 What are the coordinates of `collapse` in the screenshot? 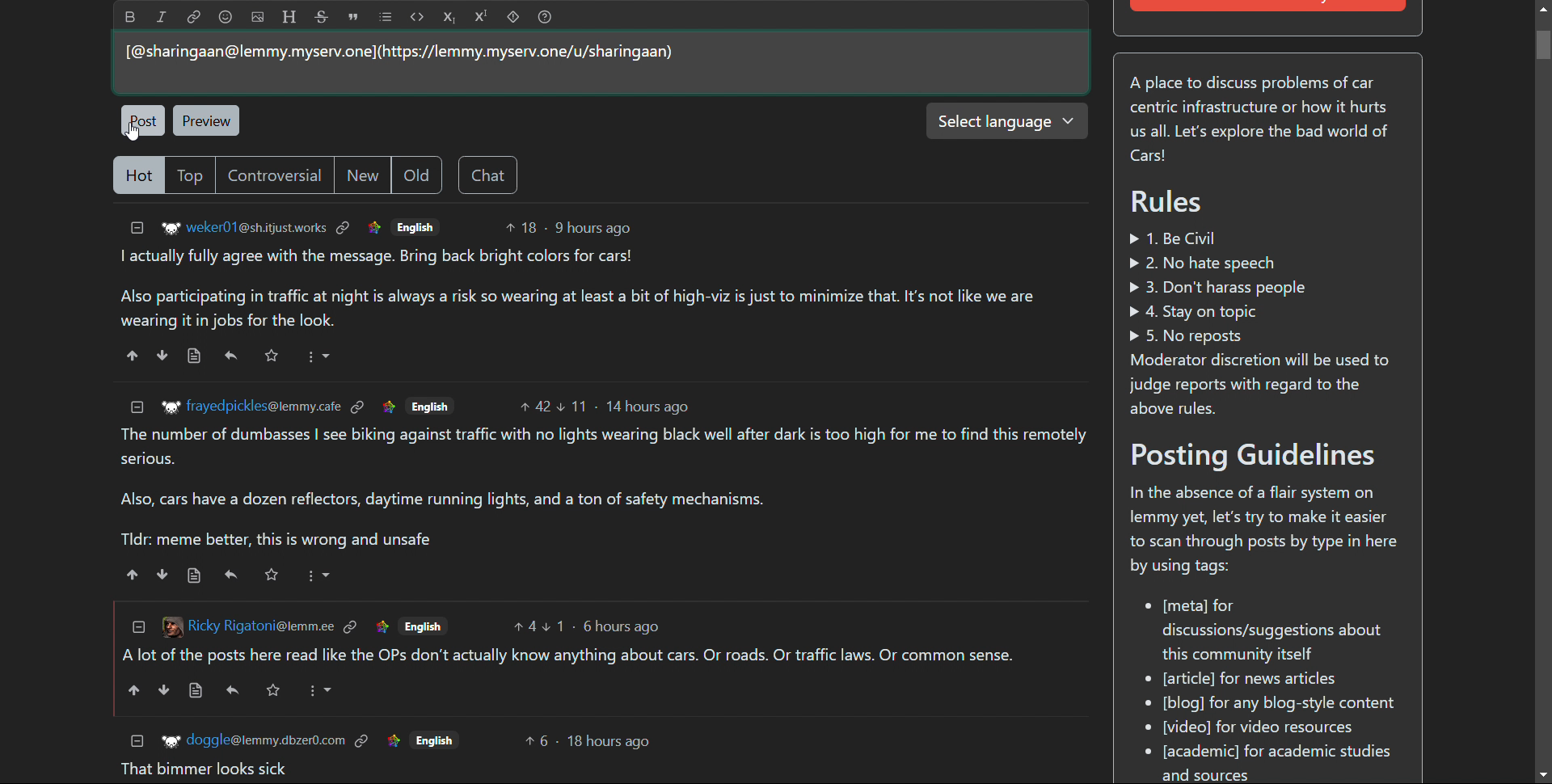 It's located at (137, 626).